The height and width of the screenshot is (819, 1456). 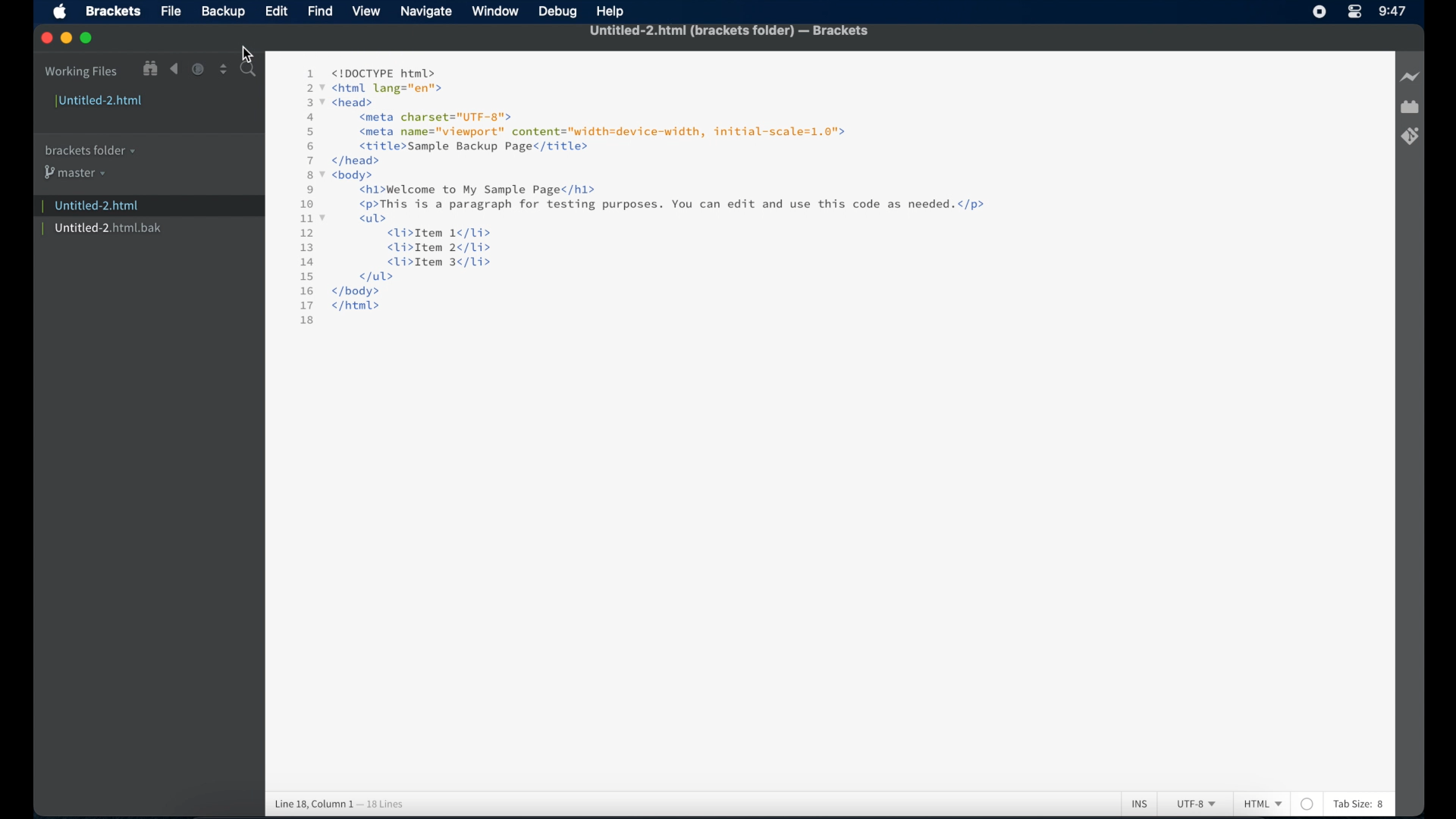 What do you see at coordinates (321, 12) in the screenshot?
I see `find` at bounding box center [321, 12].